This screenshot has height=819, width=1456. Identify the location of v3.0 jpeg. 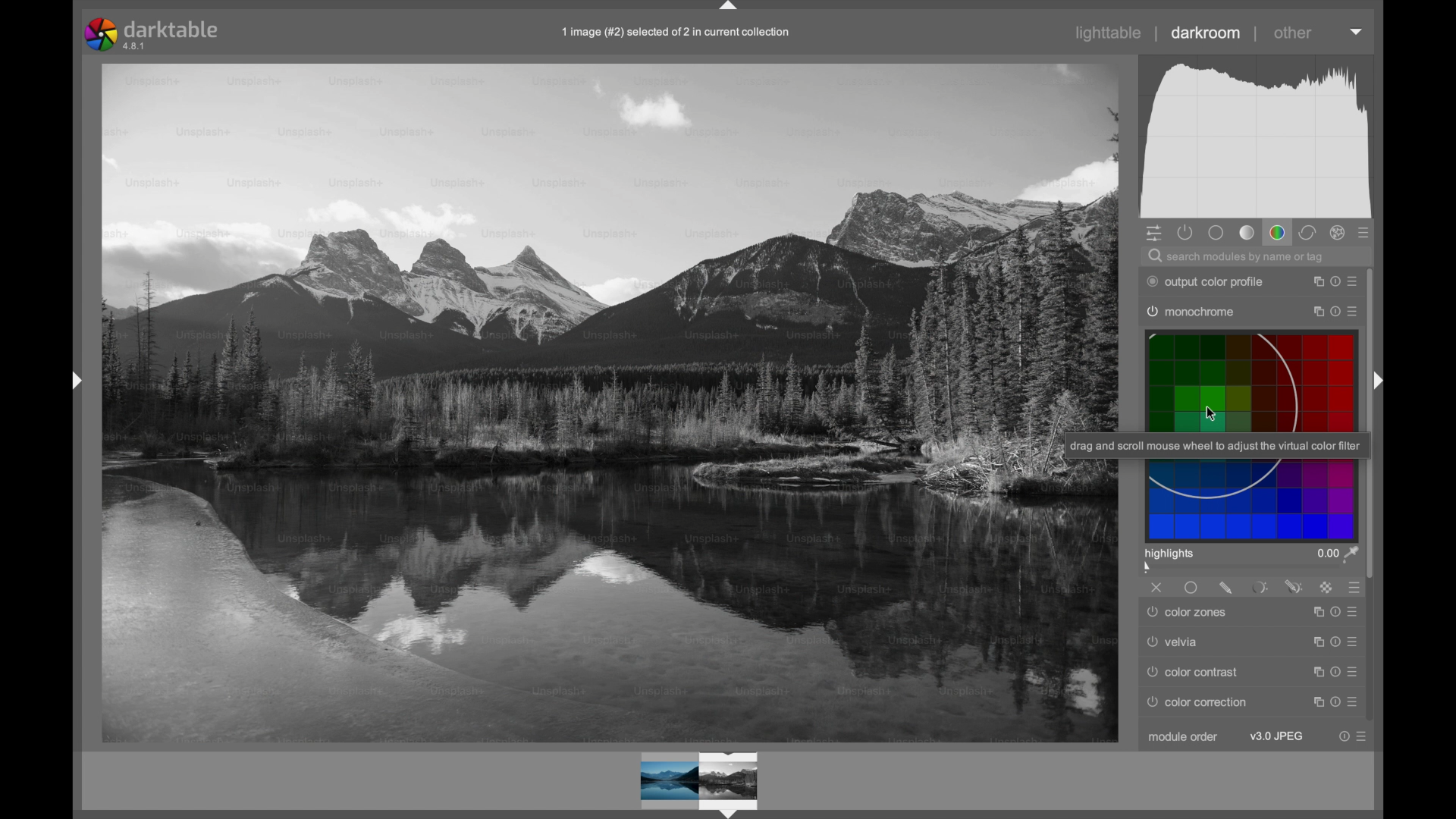
(1276, 736).